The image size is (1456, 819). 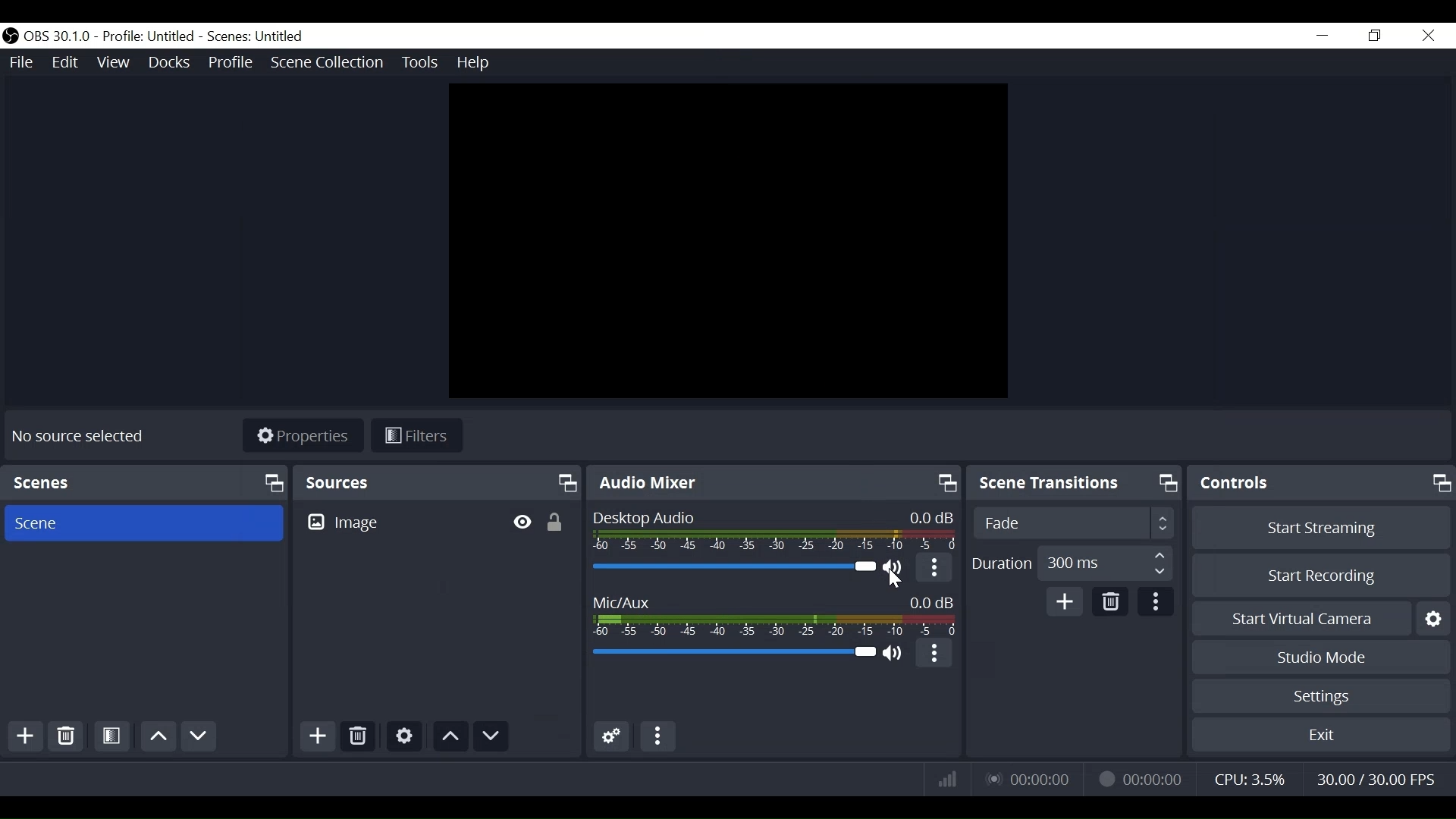 I want to click on Mic Slider, so click(x=733, y=653).